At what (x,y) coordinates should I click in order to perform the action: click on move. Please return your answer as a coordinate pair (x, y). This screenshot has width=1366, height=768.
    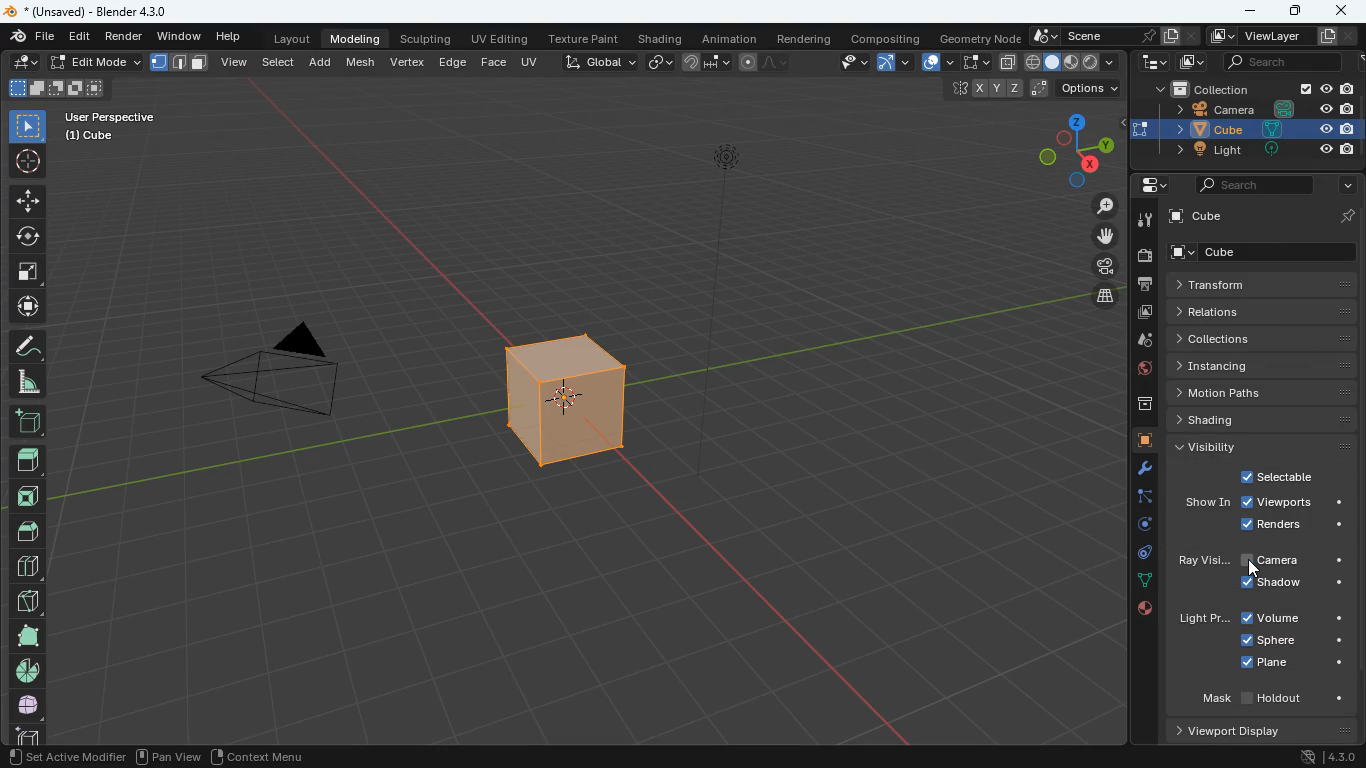
    Looking at the image, I should click on (1110, 238).